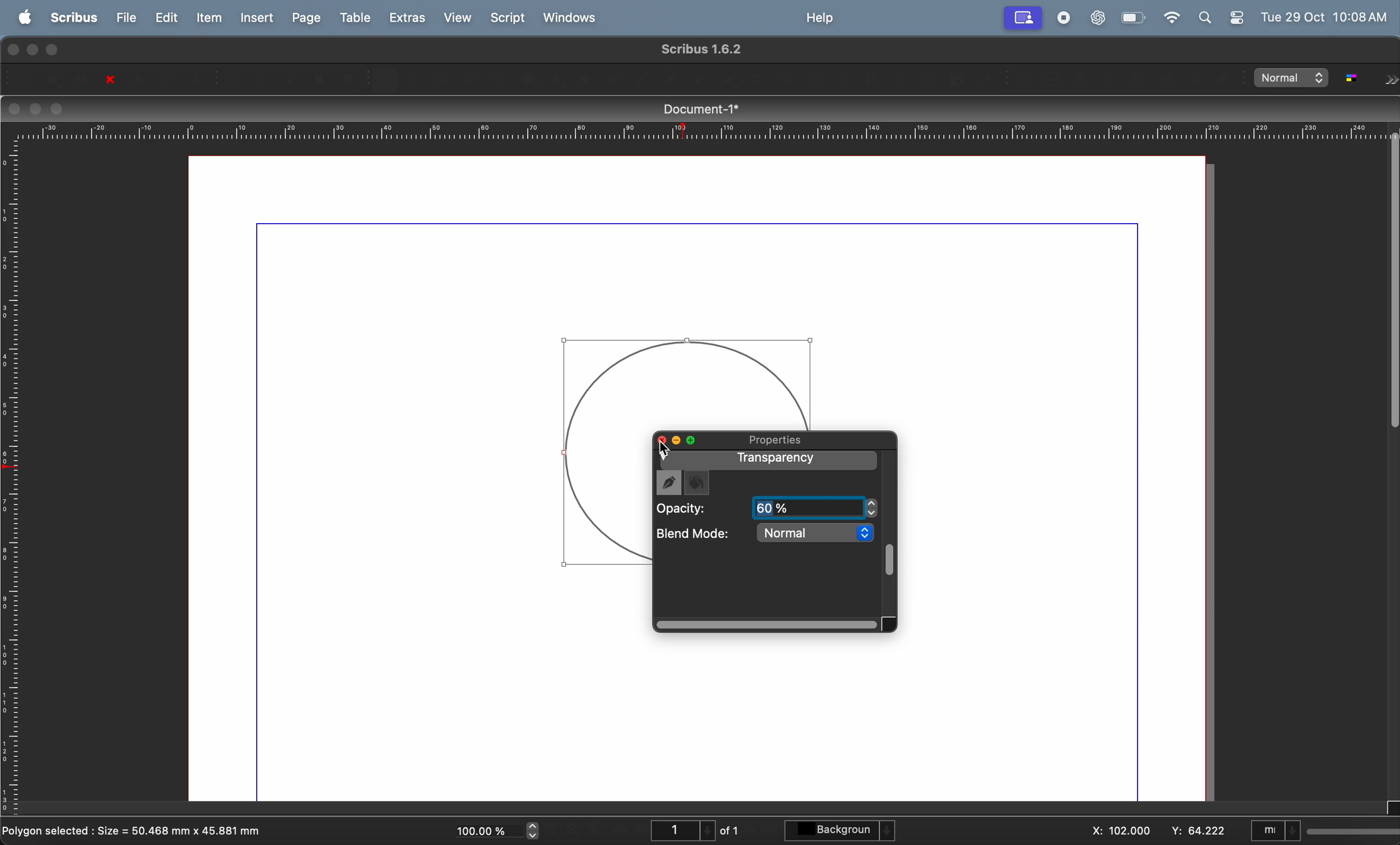 This screenshot has width=1400, height=845. I want to click on Script, so click(510, 18).